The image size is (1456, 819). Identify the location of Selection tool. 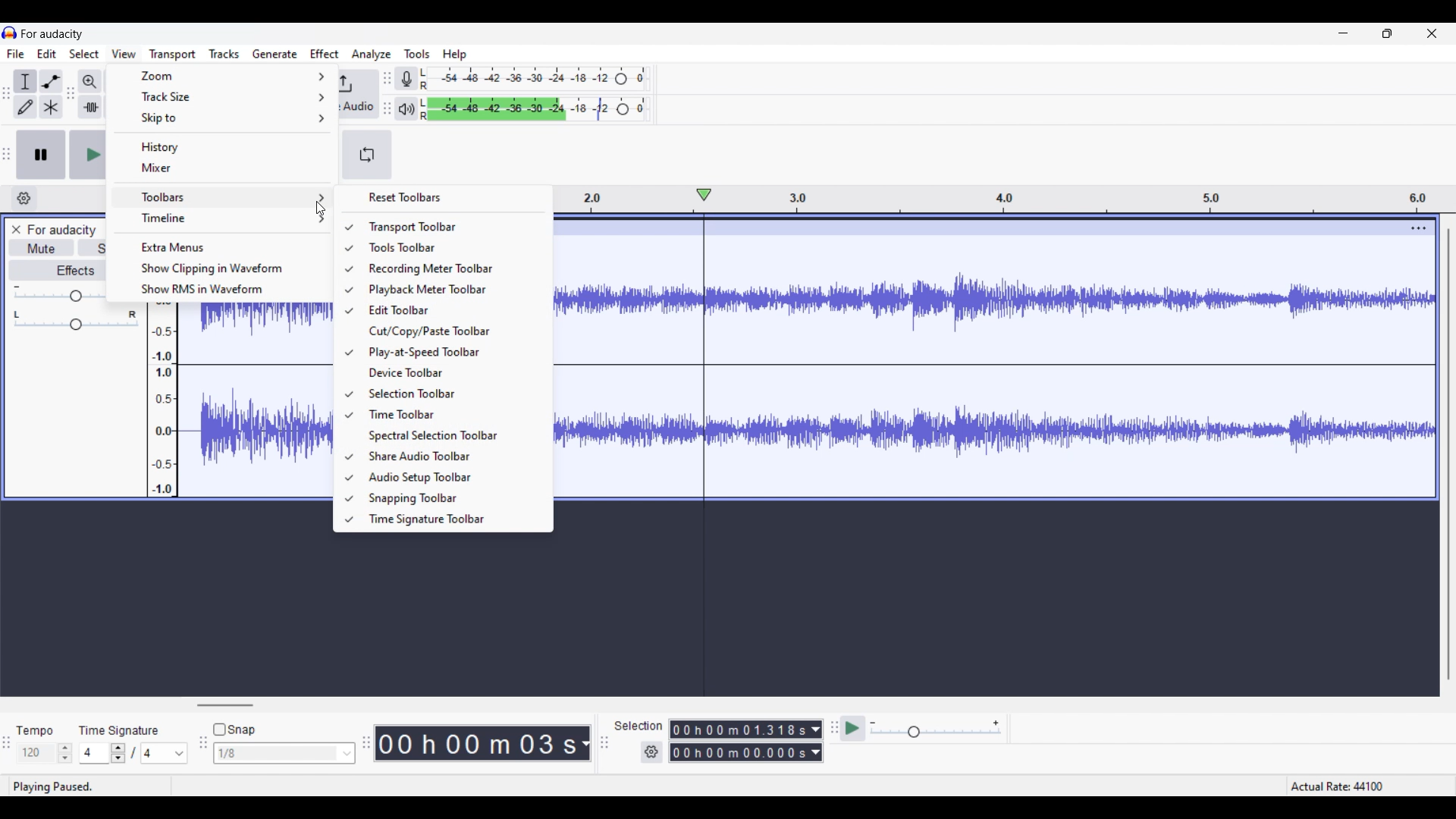
(25, 81).